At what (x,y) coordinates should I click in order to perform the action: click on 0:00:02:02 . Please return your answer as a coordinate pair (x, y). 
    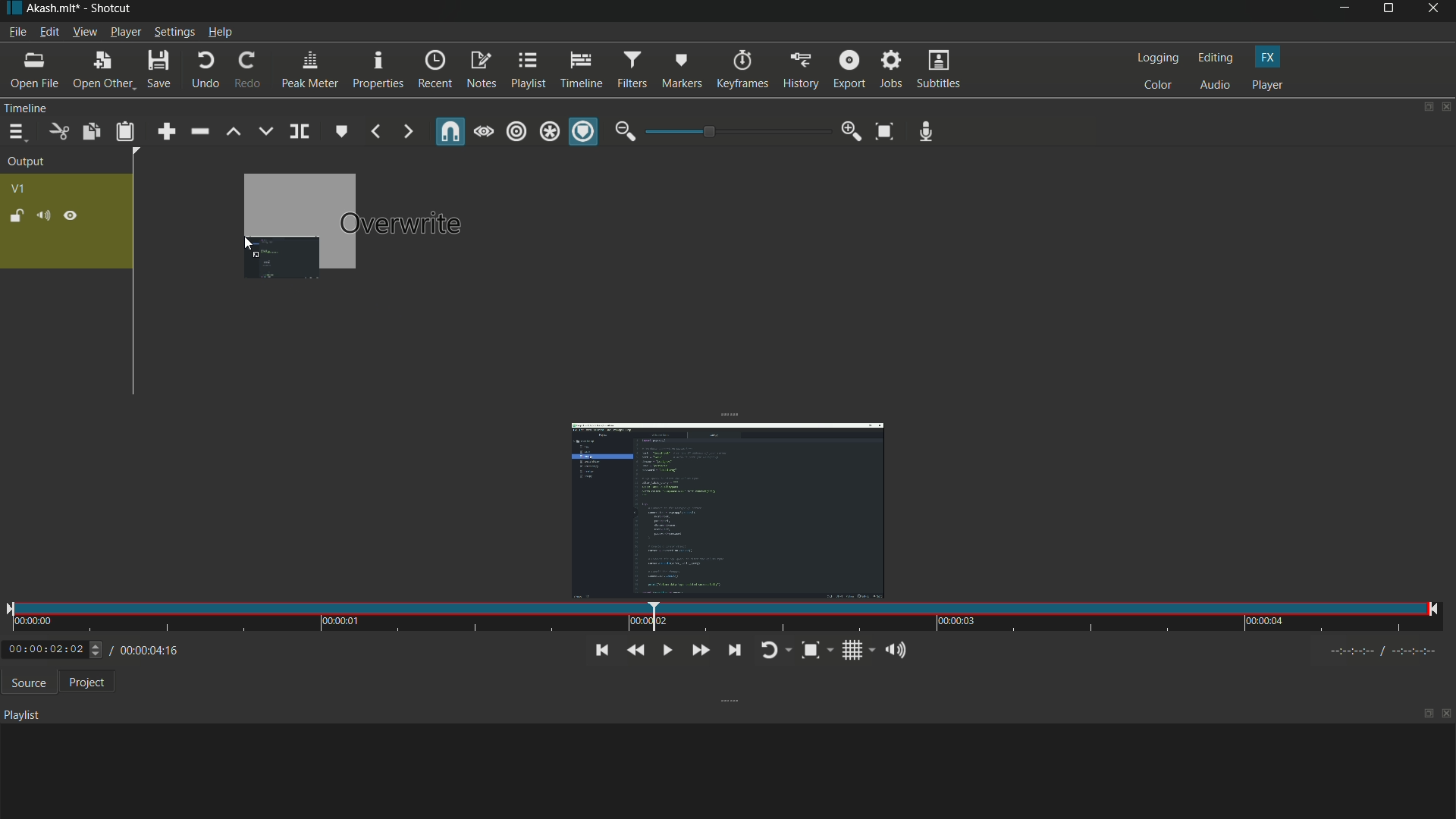
    Looking at the image, I should click on (54, 649).